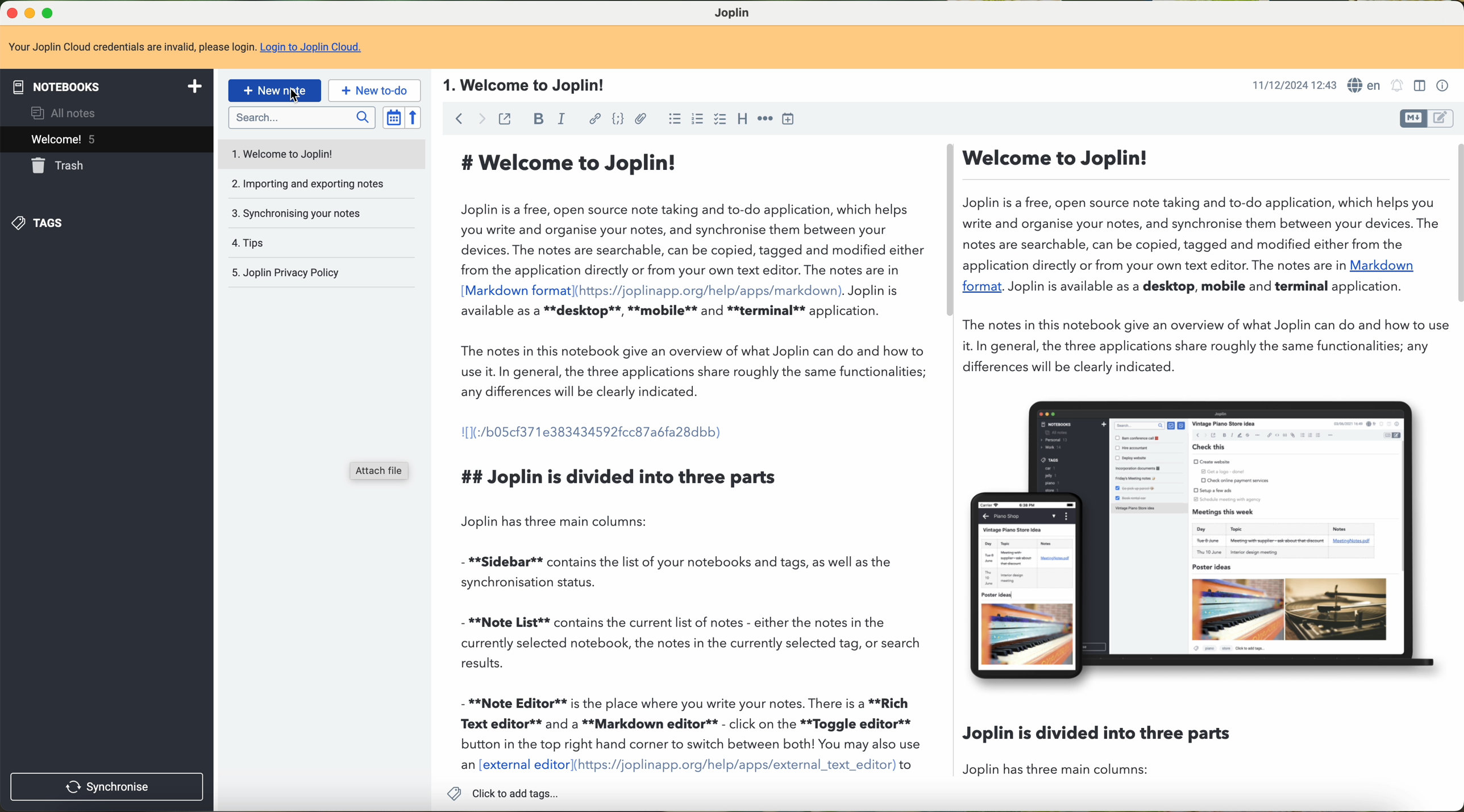 This screenshot has width=1464, height=812. Describe the element at coordinates (302, 118) in the screenshot. I see `search bar` at that location.